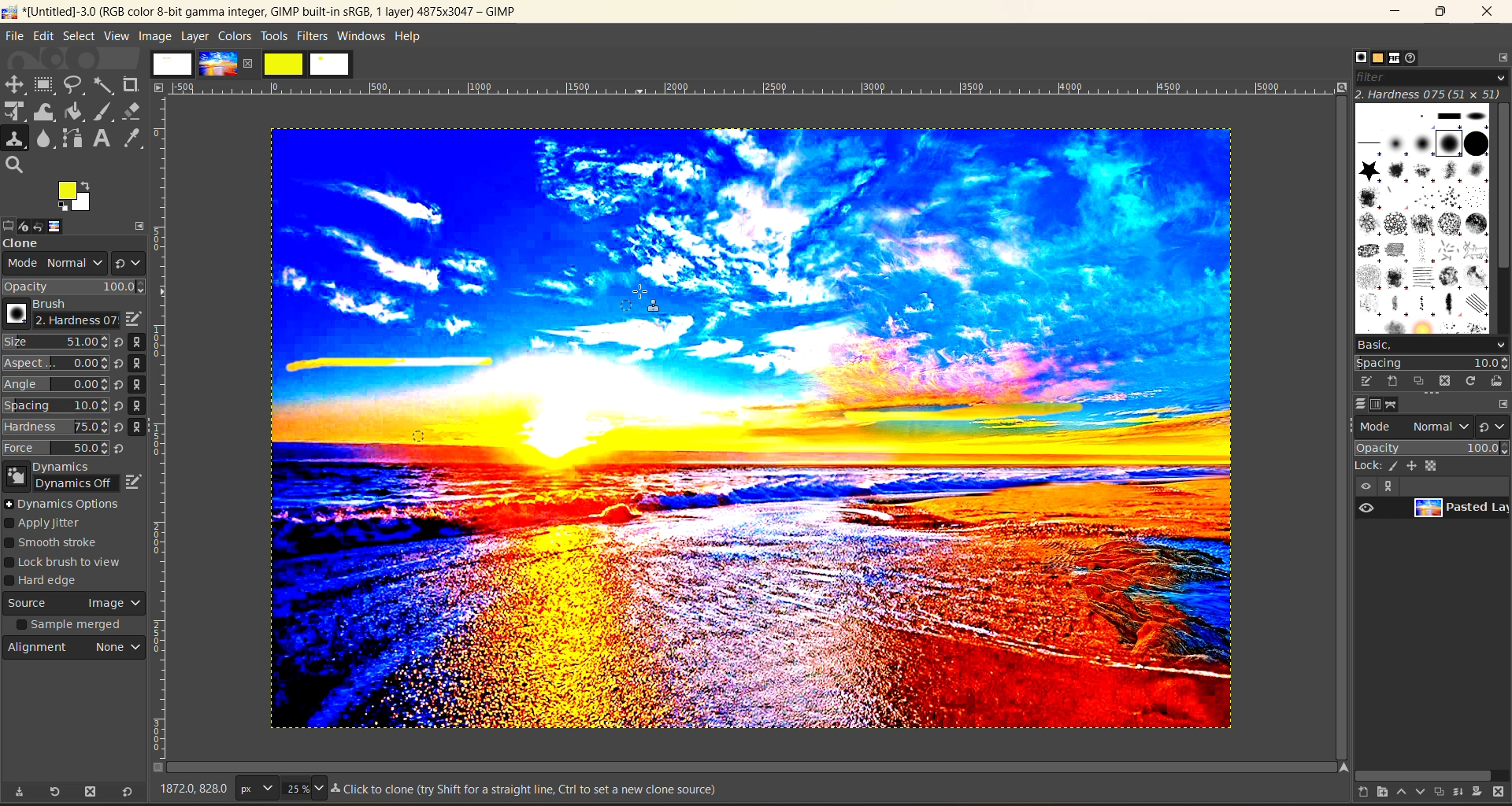  Describe the element at coordinates (131, 83) in the screenshot. I see `crope tool` at that location.